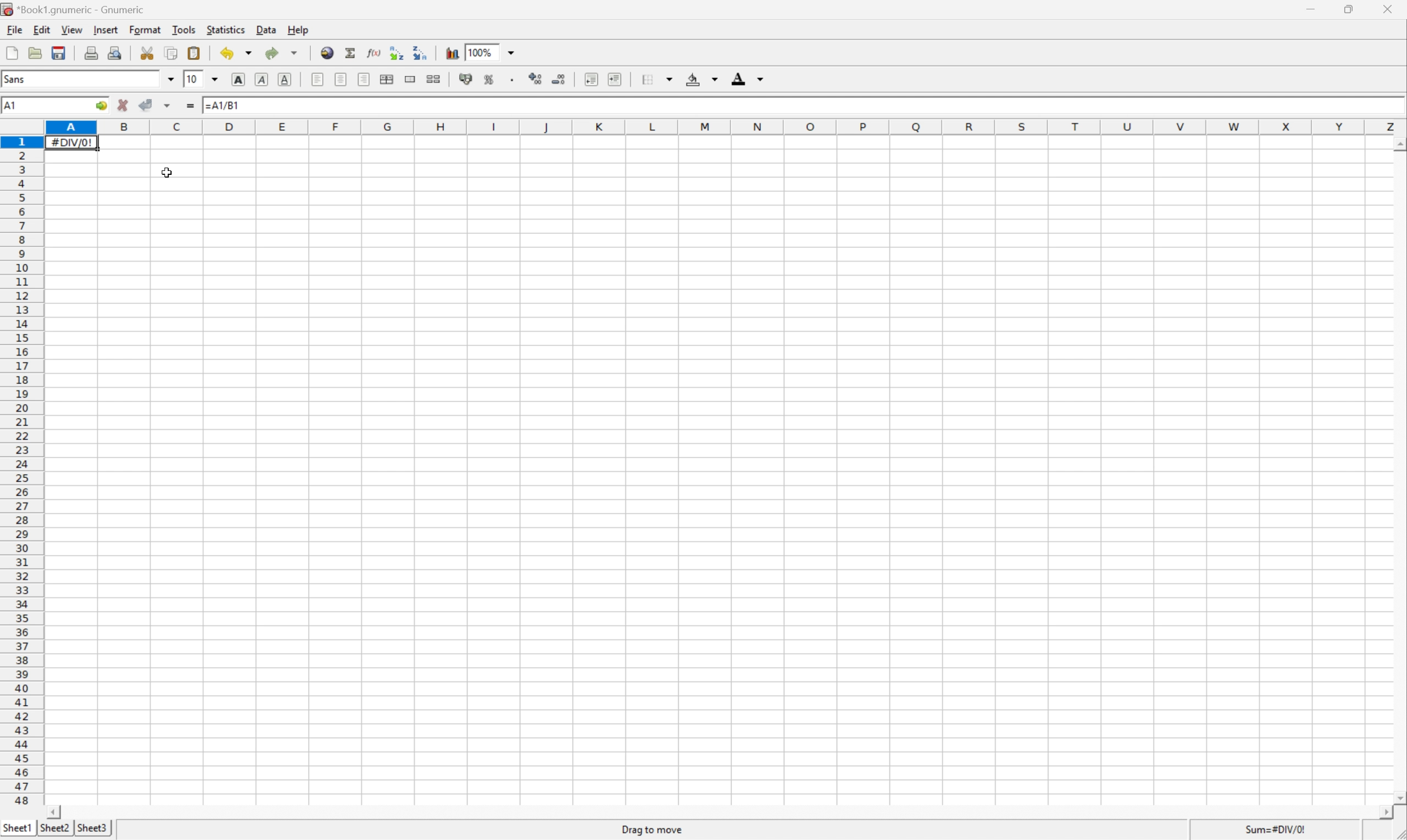 The image size is (1407, 840). What do you see at coordinates (1310, 10) in the screenshot?
I see `Minimize` at bounding box center [1310, 10].